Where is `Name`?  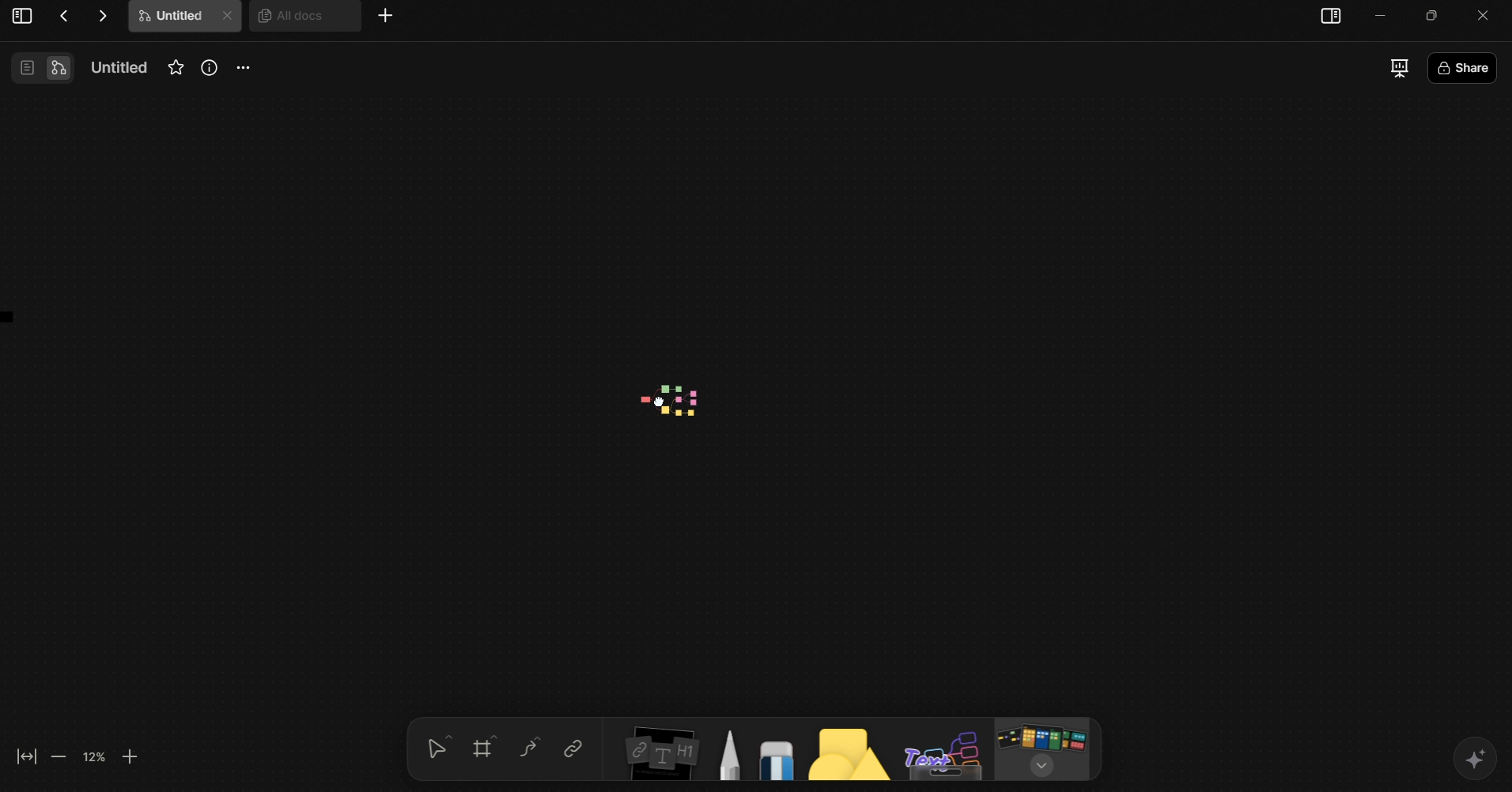
Name is located at coordinates (114, 66).